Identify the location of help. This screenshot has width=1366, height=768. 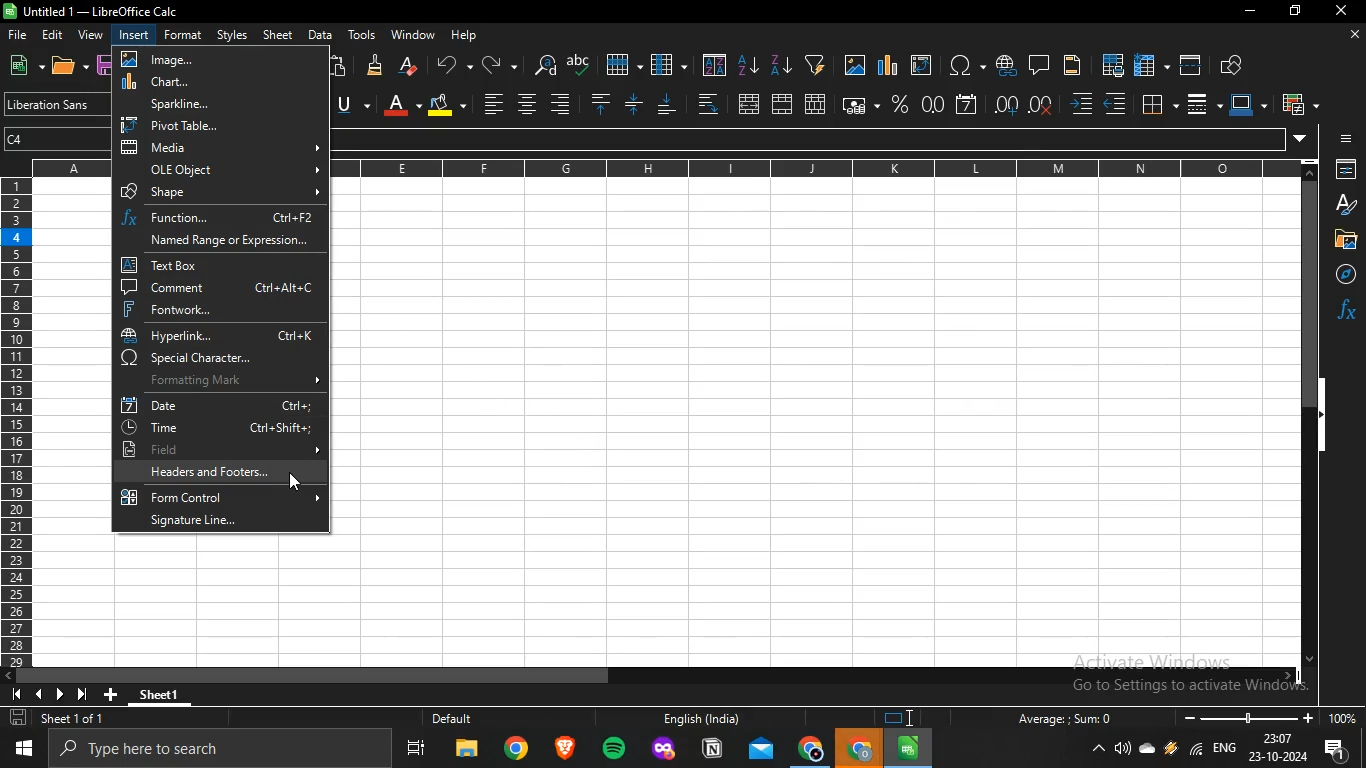
(467, 36).